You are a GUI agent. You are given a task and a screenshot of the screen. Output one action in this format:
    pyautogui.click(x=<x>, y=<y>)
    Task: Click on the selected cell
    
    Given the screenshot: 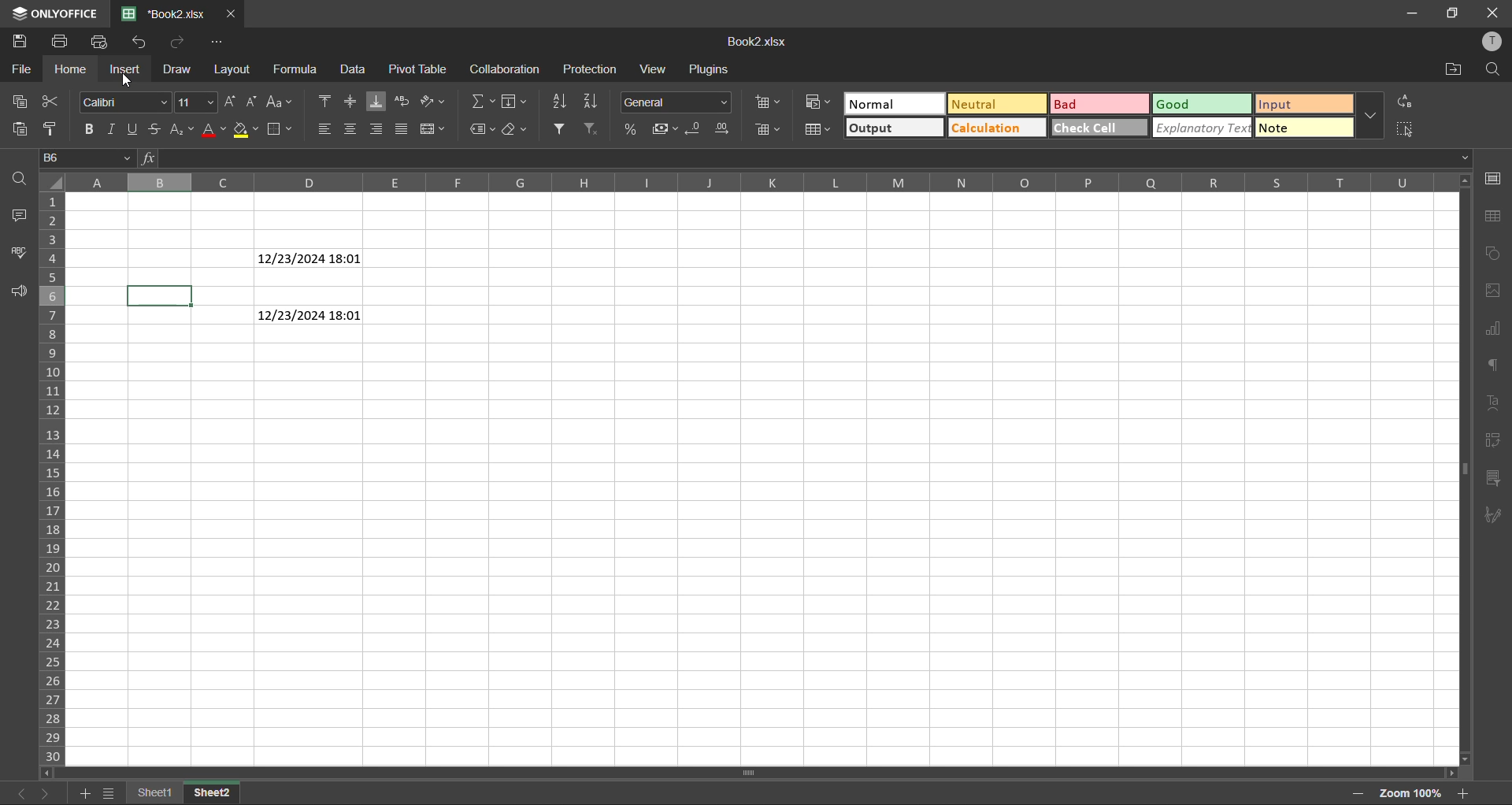 What is the action you would take?
    pyautogui.click(x=160, y=295)
    